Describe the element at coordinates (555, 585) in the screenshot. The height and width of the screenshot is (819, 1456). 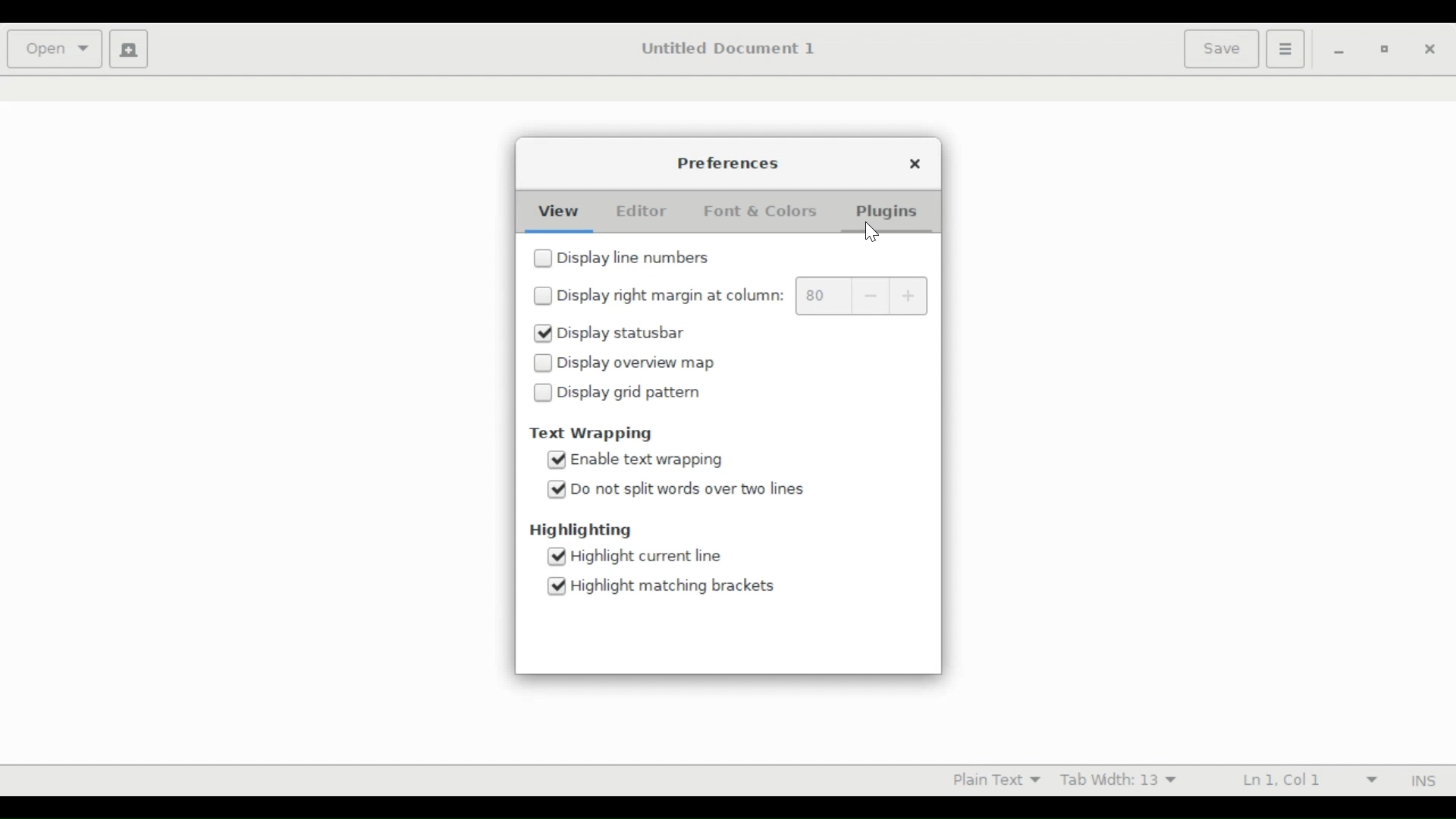
I see `Selected` at that location.